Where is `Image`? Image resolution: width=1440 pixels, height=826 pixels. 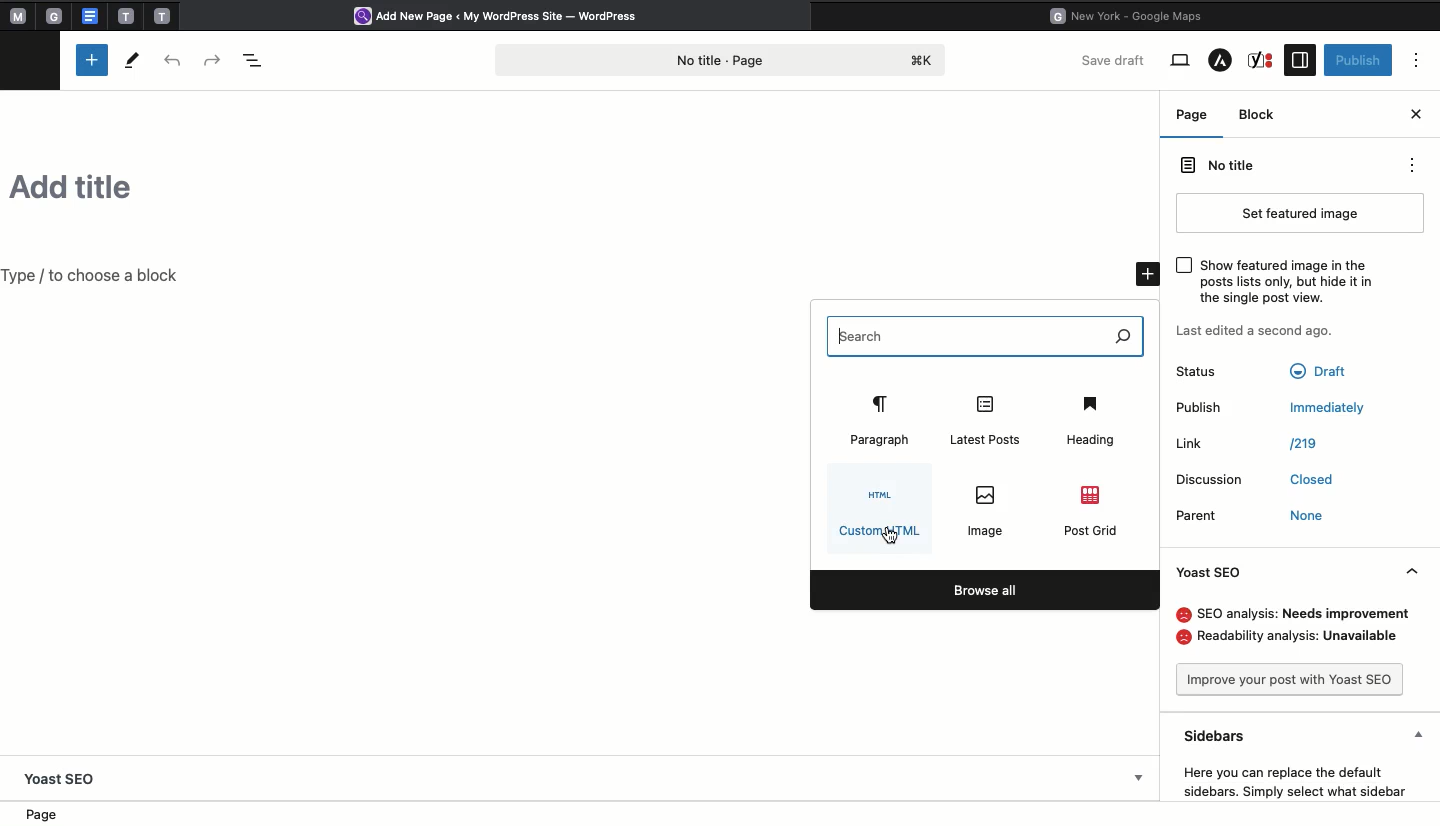 Image is located at coordinates (989, 510).